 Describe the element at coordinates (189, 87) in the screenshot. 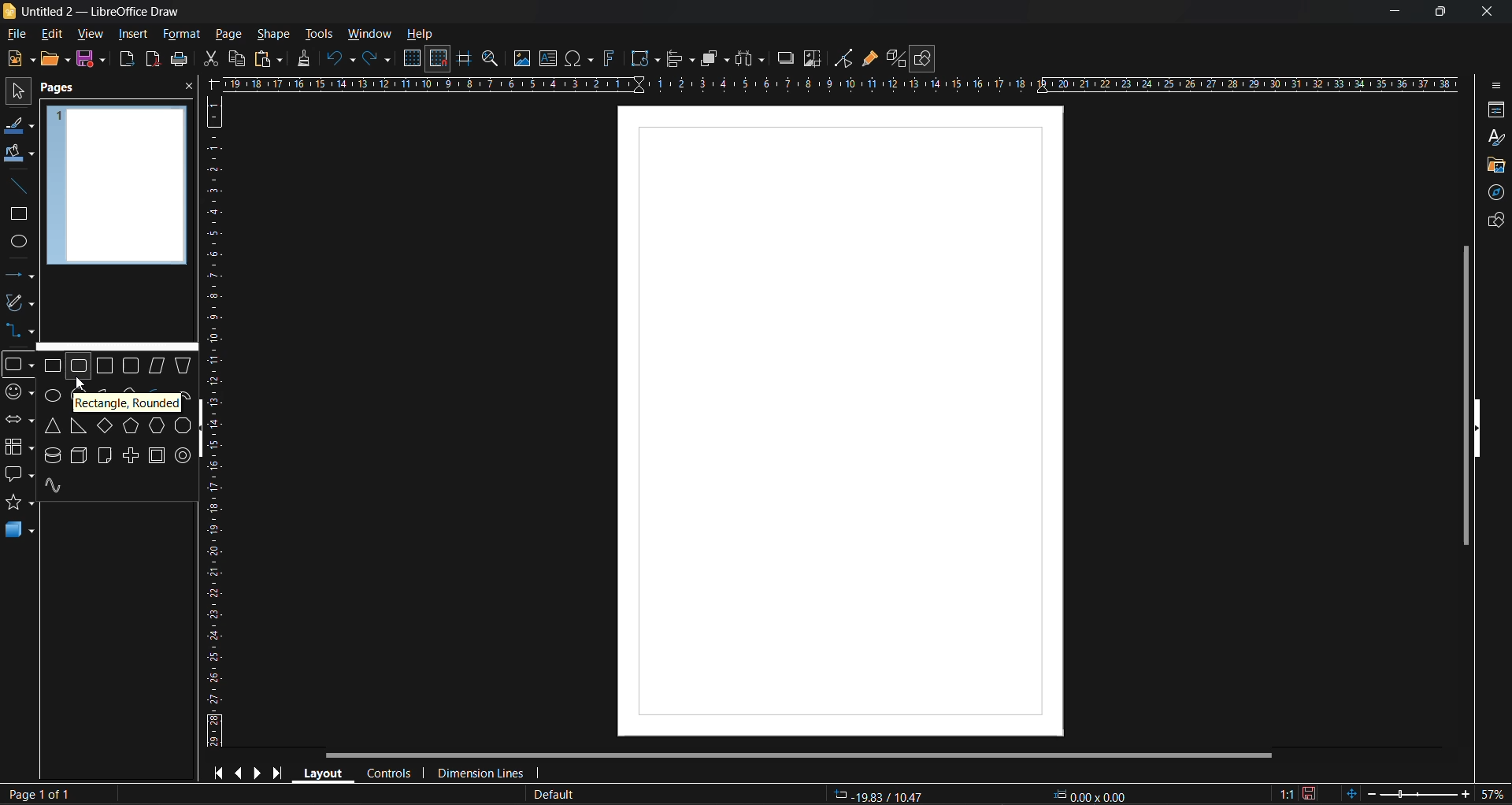

I see `close` at that location.